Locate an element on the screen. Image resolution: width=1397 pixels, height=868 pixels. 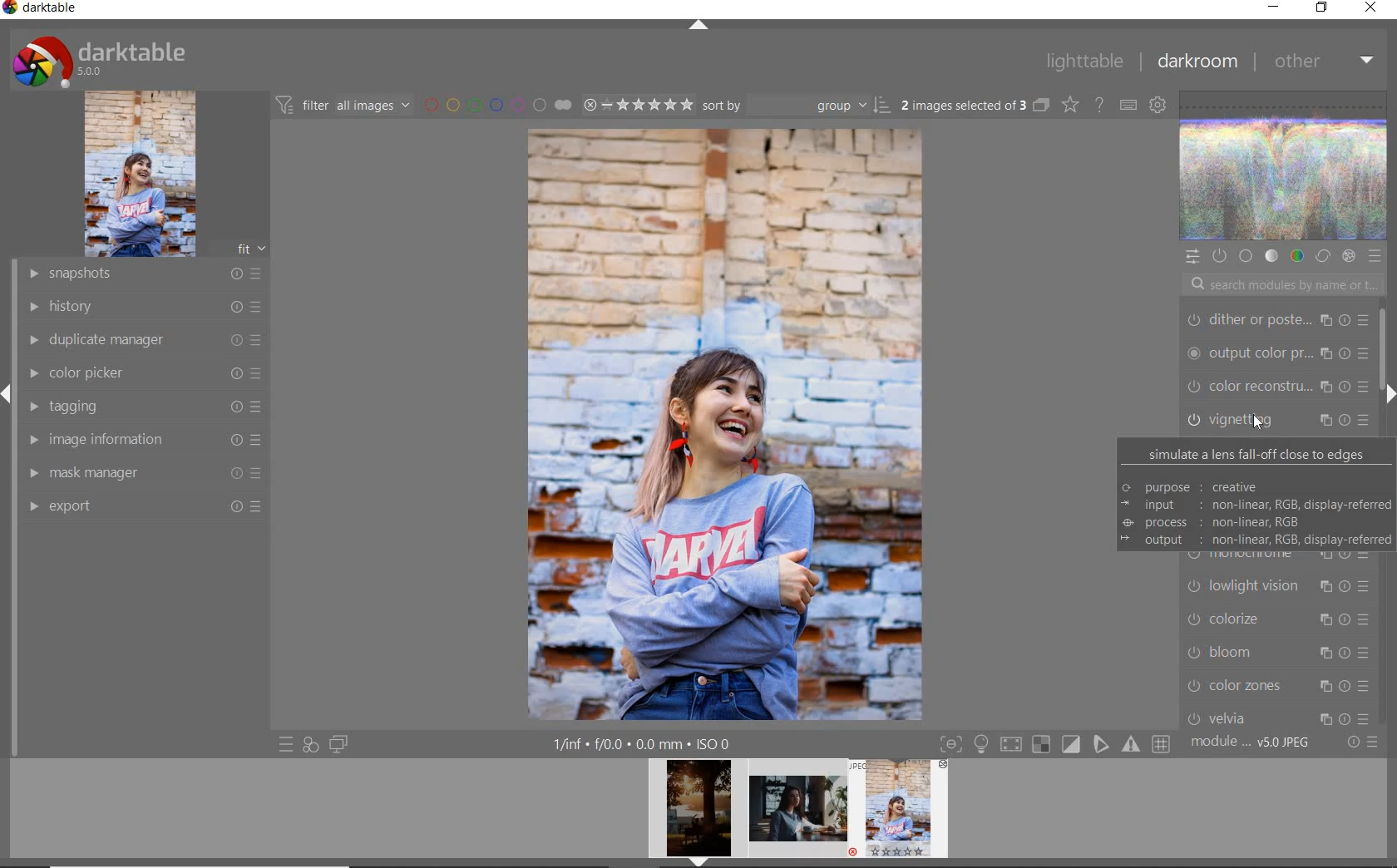
image is located at coordinates (140, 174).